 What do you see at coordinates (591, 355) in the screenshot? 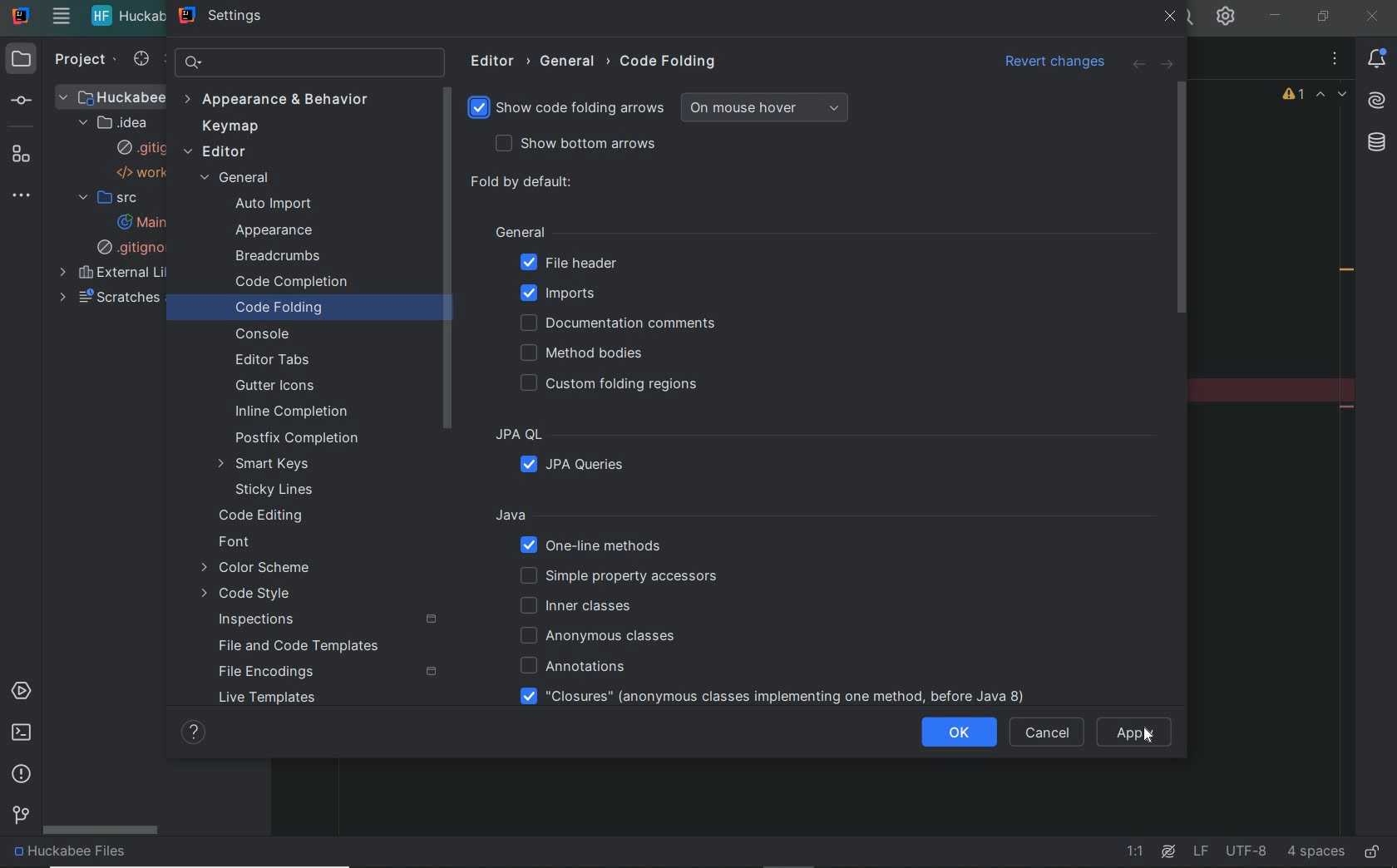
I see `method bodies` at bounding box center [591, 355].